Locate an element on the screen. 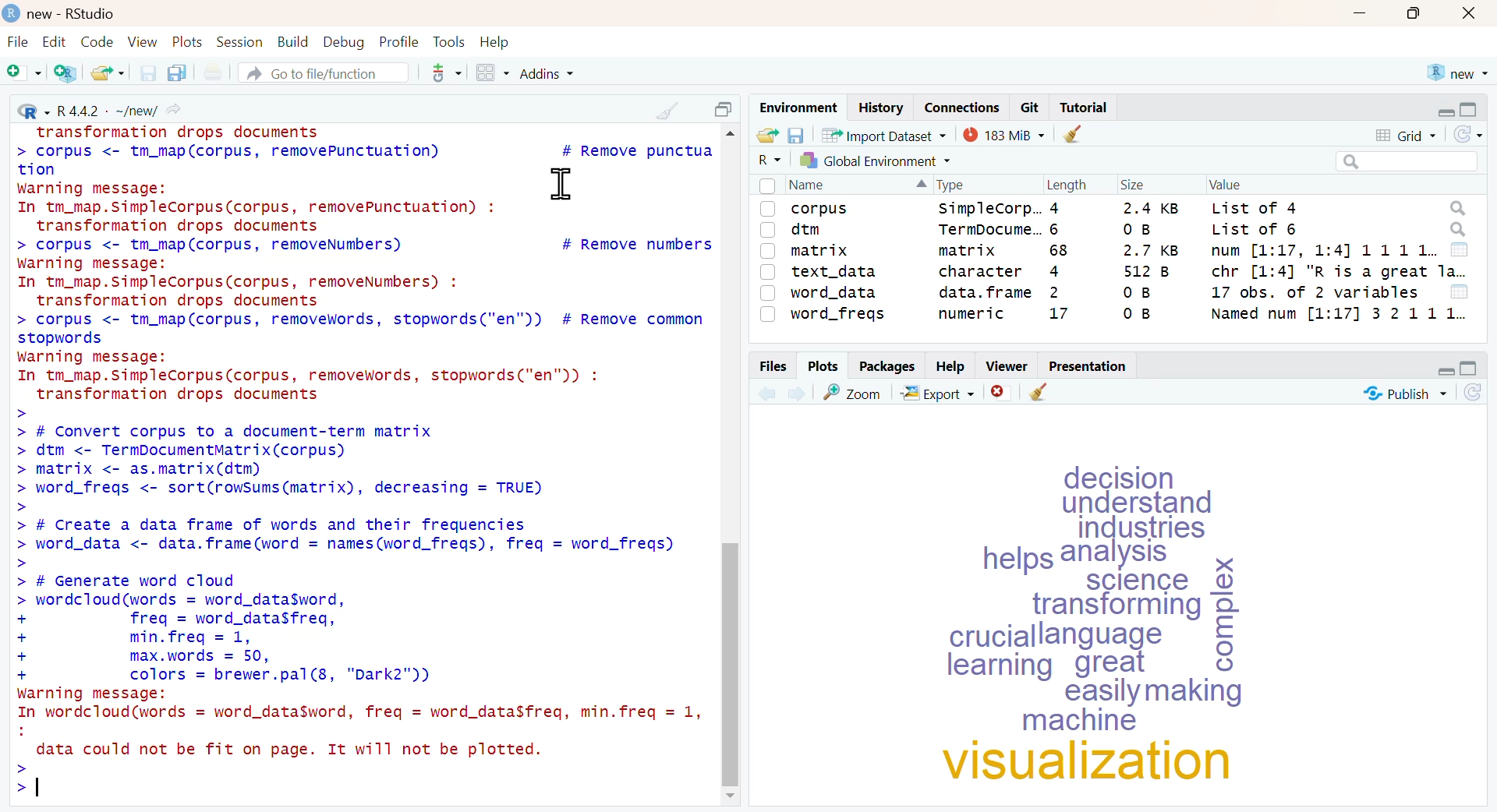 This screenshot has height=812, width=1497. 512 B is located at coordinates (1144, 271).